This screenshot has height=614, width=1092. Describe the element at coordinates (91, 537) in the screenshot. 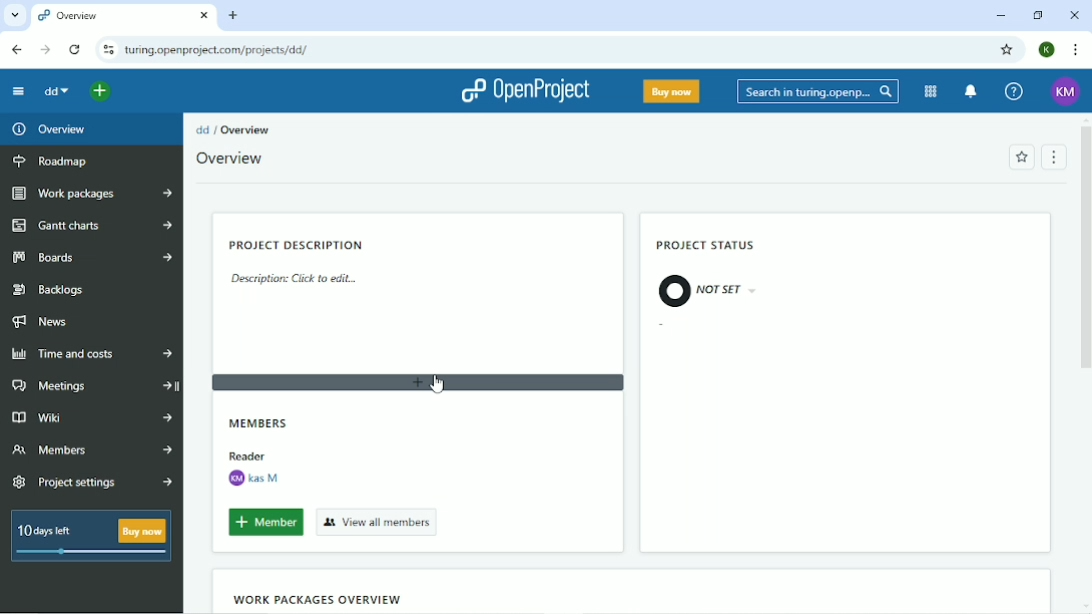

I see `10 days left` at that location.